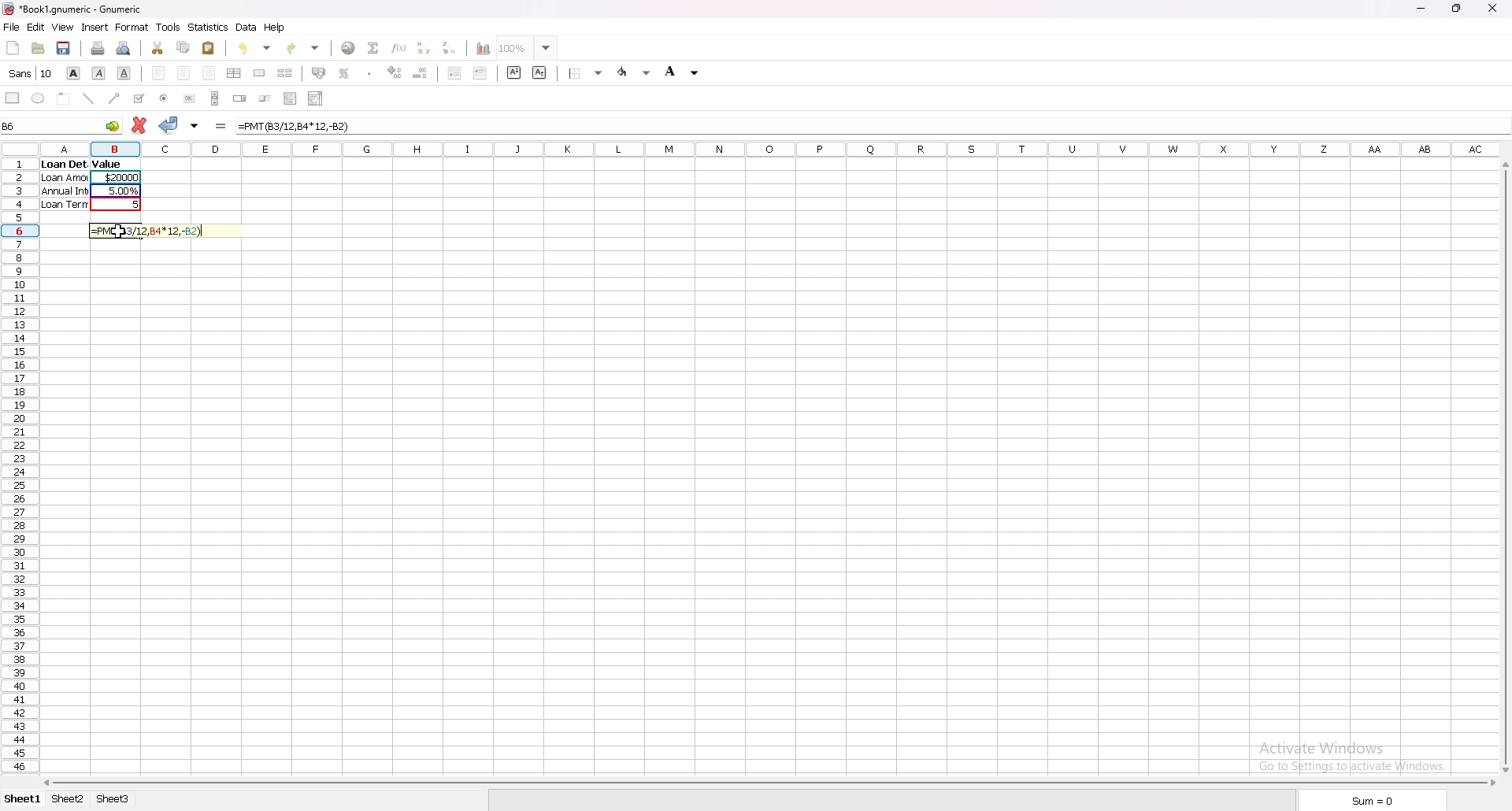 The width and height of the screenshot is (1512, 811). I want to click on file name, so click(74, 9).